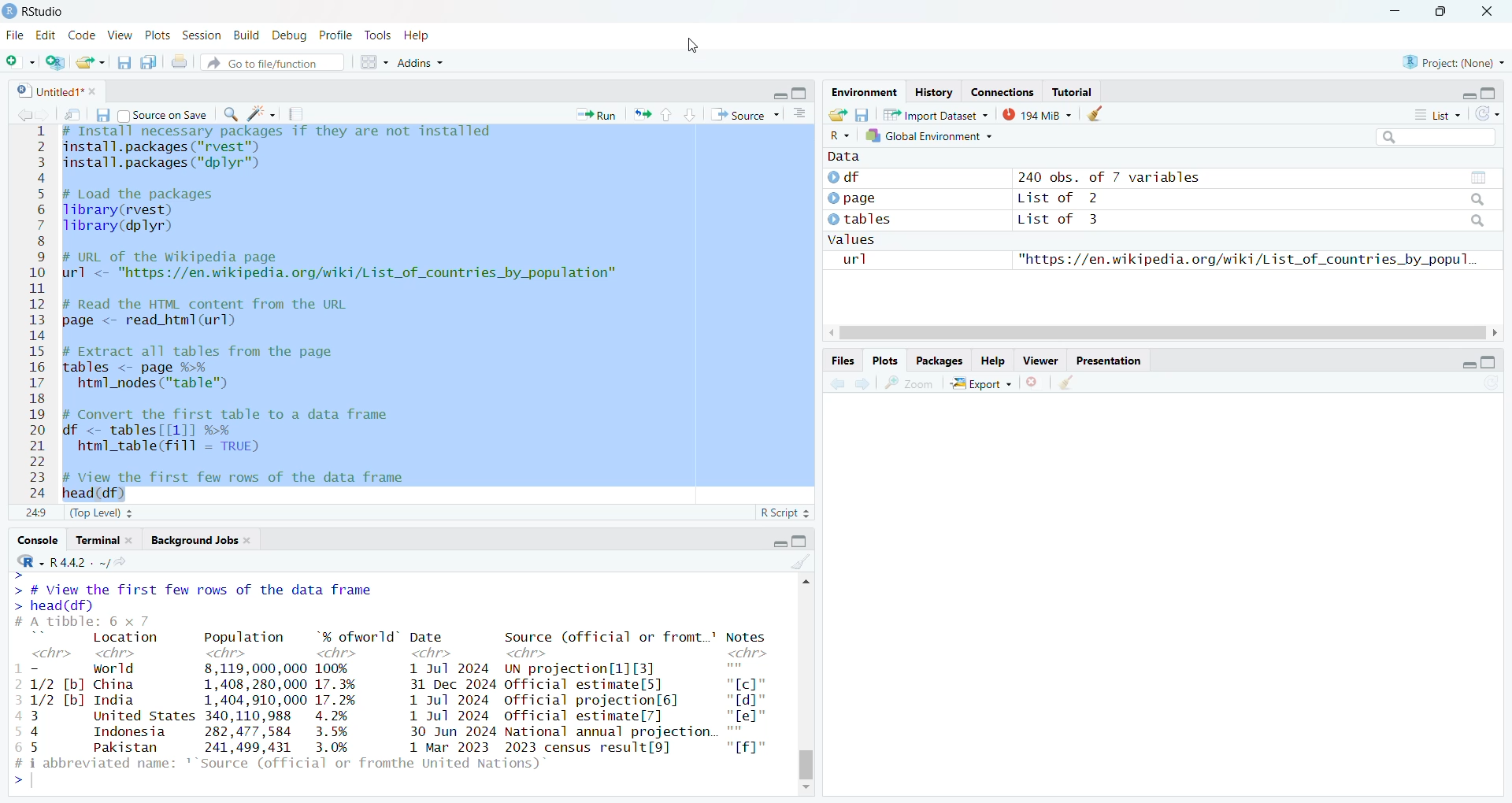  I want to click on file search, so click(272, 62).